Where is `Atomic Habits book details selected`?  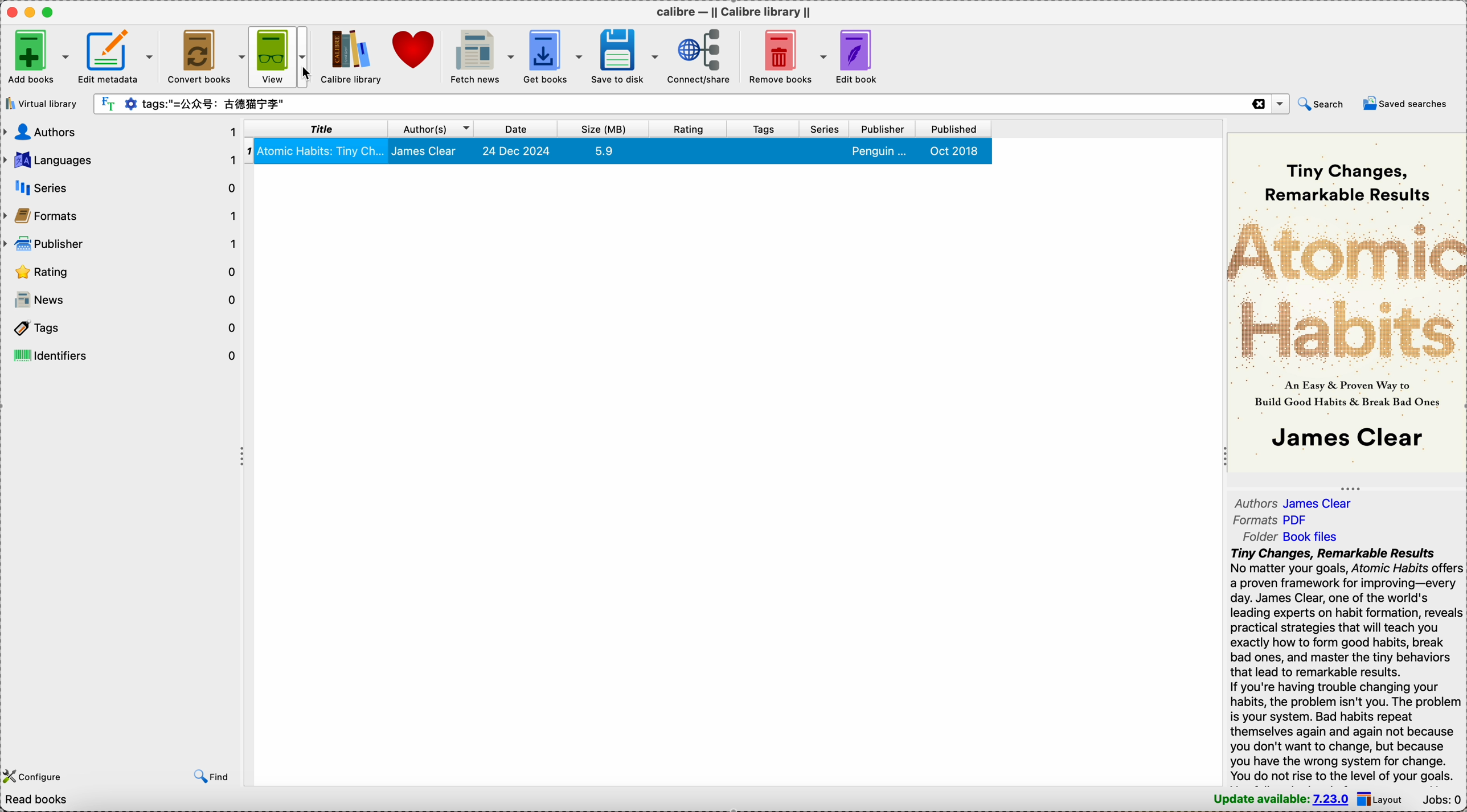 Atomic Habits book details selected is located at coordinates (621, 153).